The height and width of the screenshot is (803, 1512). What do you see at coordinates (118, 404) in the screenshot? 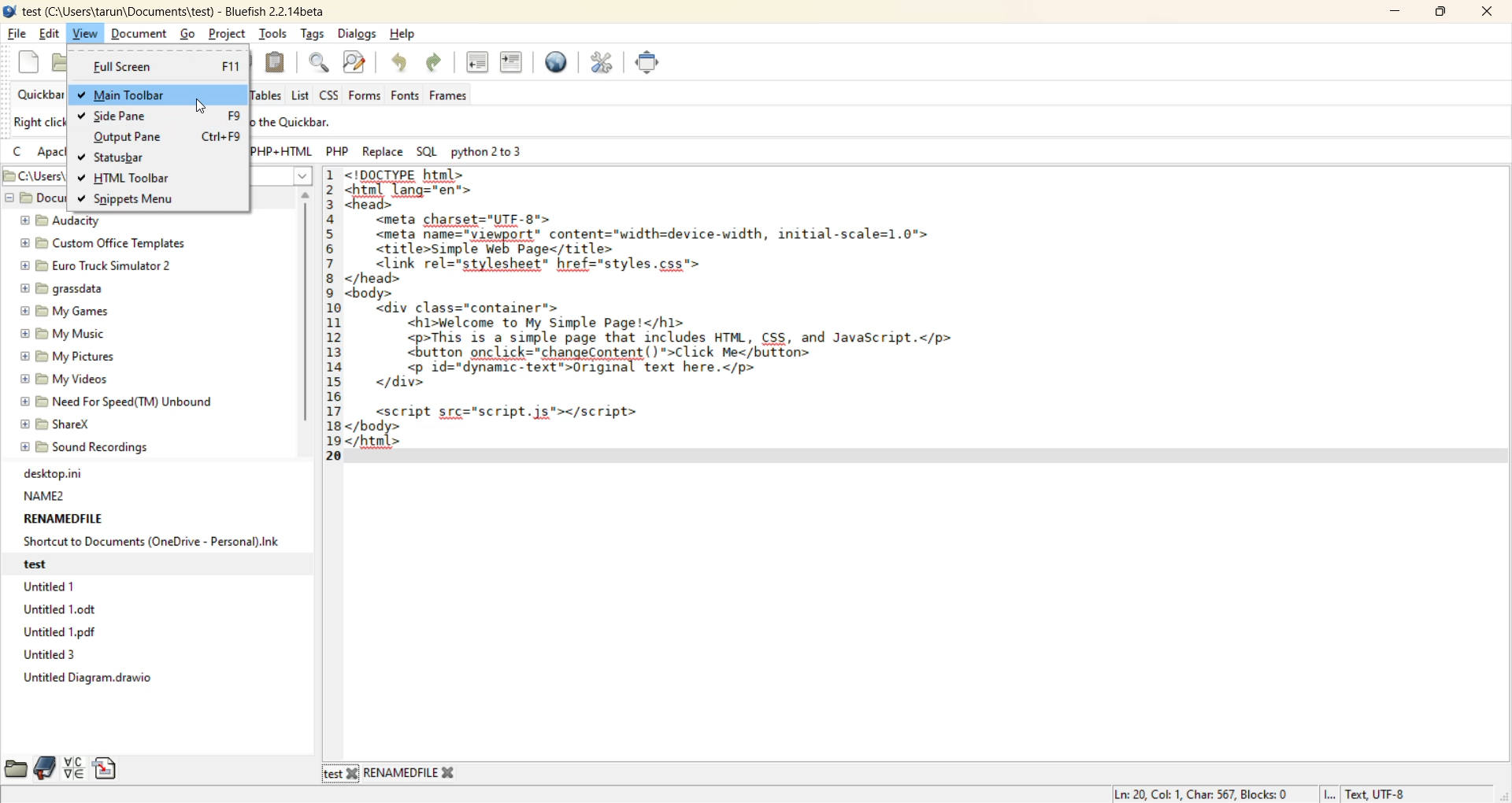
I see `# [9 Need For Speed(TM) Unbound` at bounding box center [118, 404].